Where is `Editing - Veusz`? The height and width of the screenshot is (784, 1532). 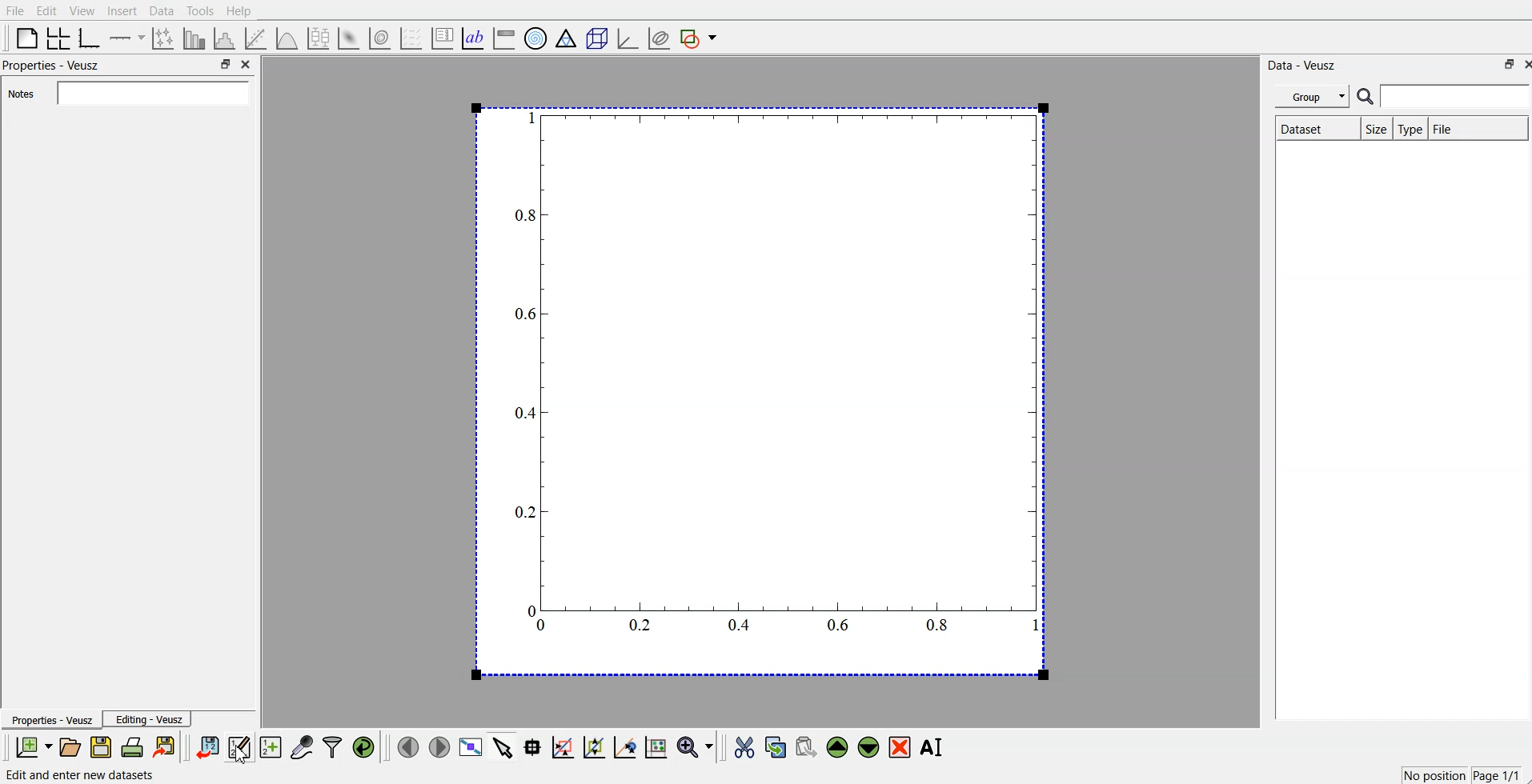 Editing - Veusz is located at coordinates (150, 719).